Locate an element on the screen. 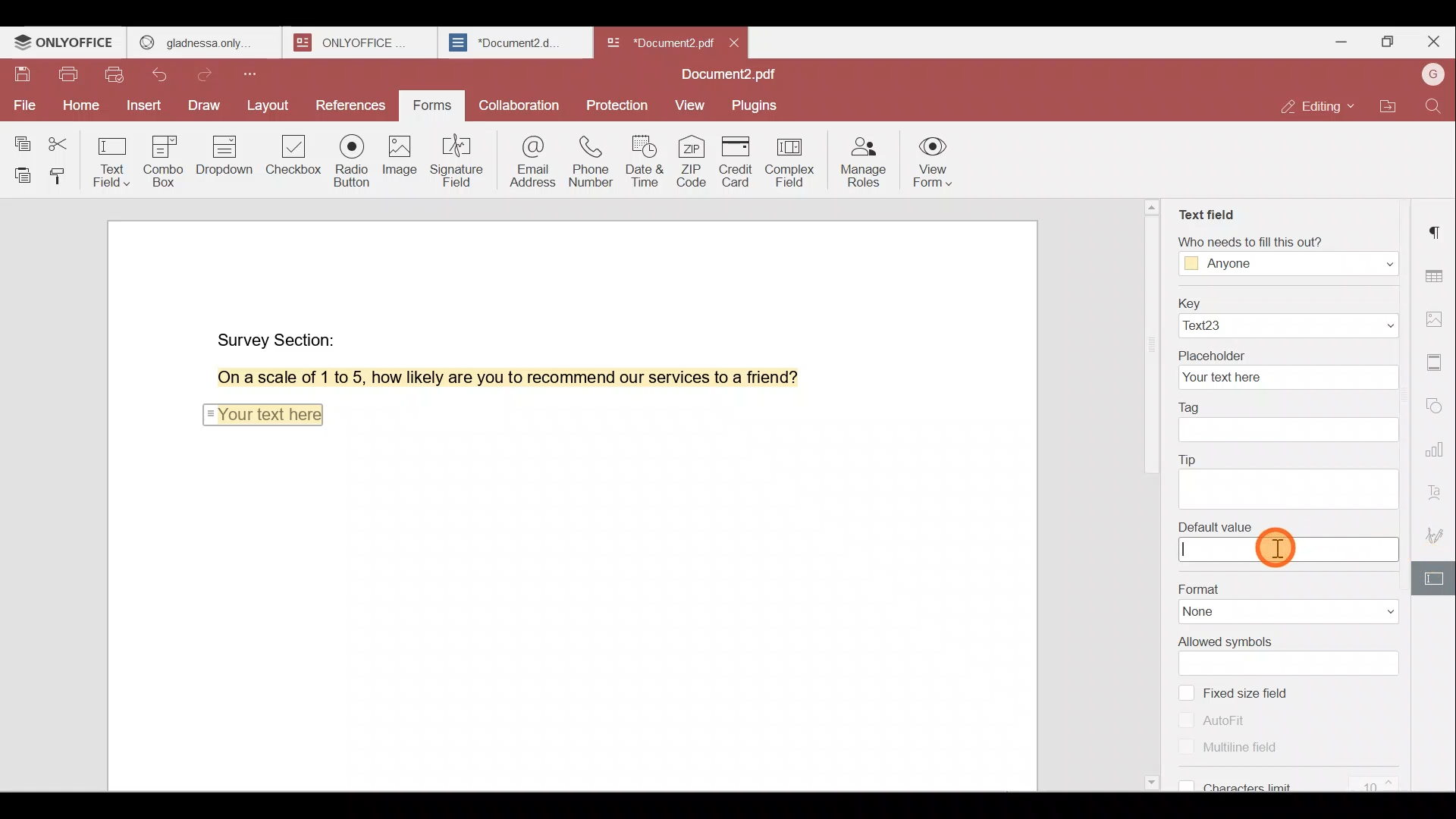 The width and height of the screenshot is (1456, 819). Allowed symbols is located at coordinates (1291, 654).